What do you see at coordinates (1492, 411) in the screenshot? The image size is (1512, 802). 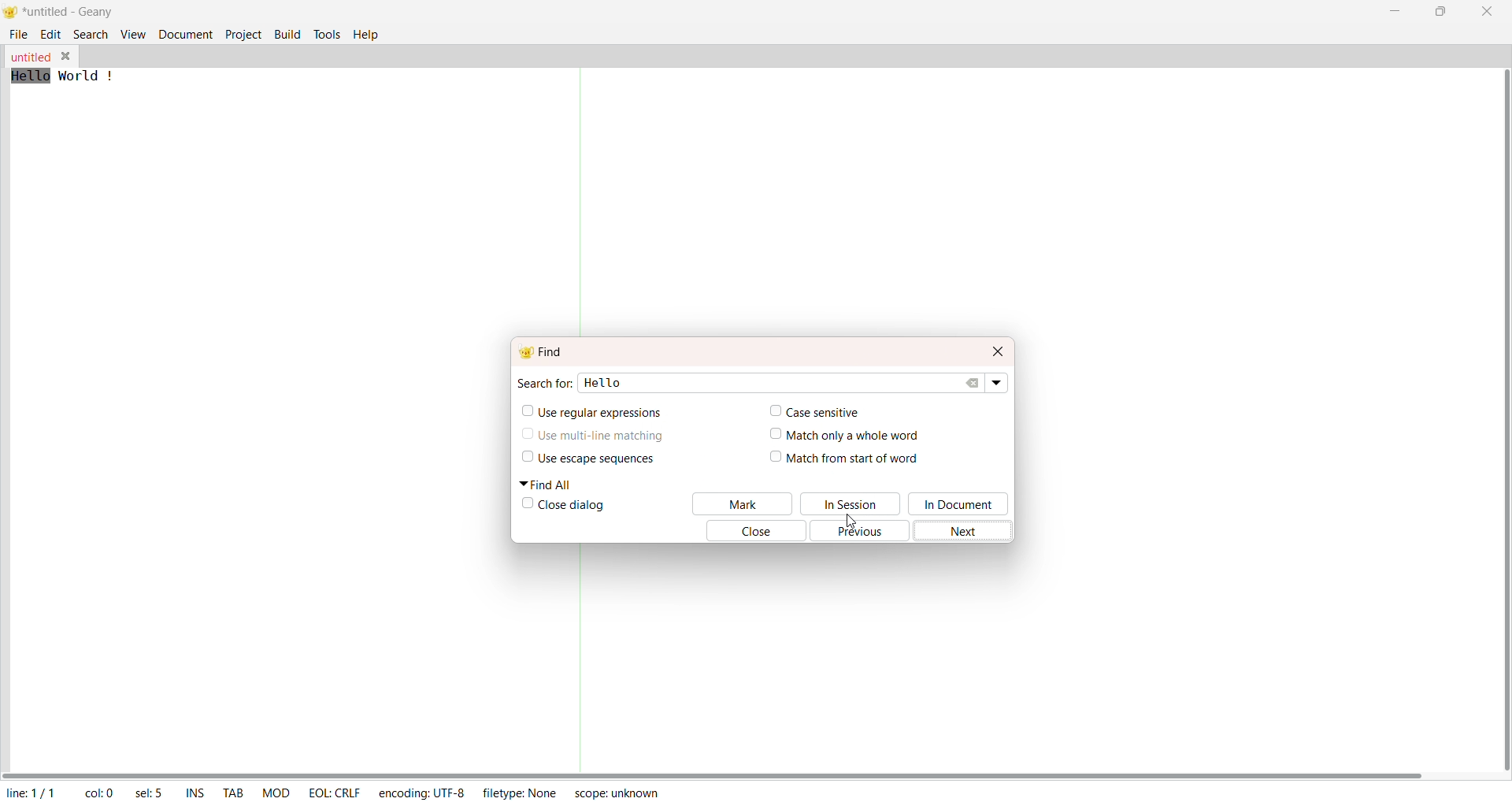 I see `Vertical Horizontal Bar` at bounding box center [1492, 411].